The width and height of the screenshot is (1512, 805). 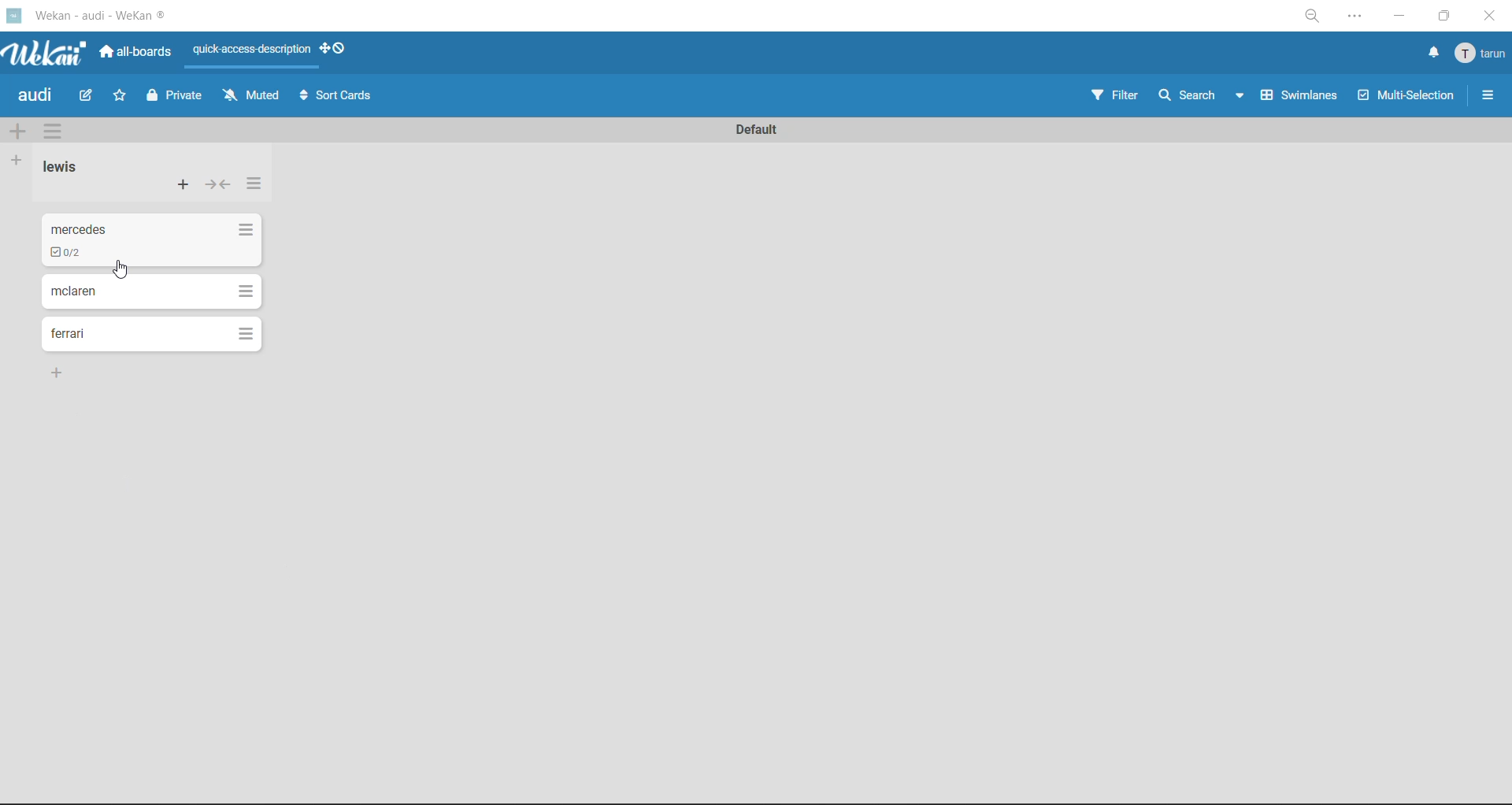 I want to click on notifications, so click(x=1431, y=54).